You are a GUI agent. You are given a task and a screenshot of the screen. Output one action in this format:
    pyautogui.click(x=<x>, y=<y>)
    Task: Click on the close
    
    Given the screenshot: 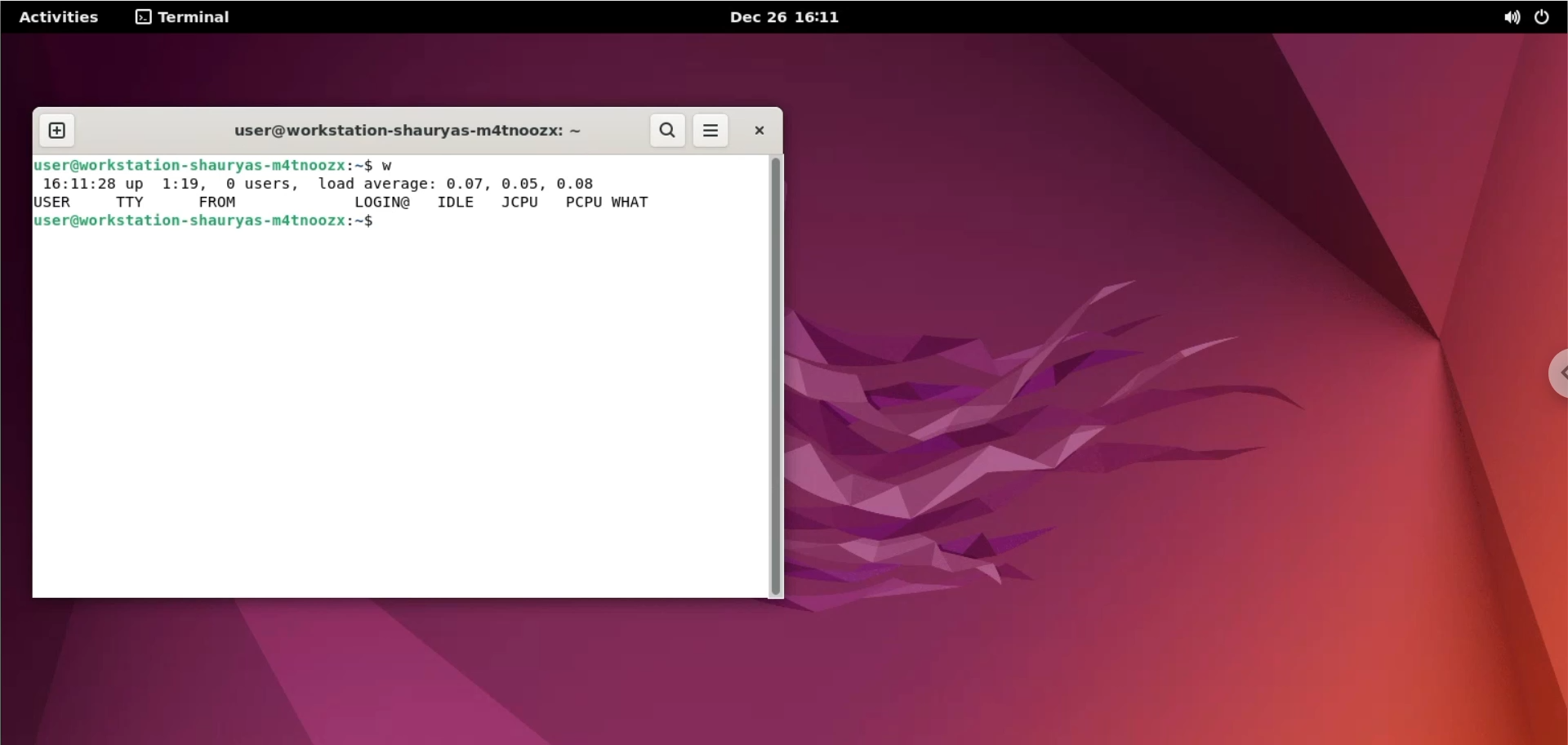 What is the action you would take?
    pyautogui.click(x=764, y=131)
    